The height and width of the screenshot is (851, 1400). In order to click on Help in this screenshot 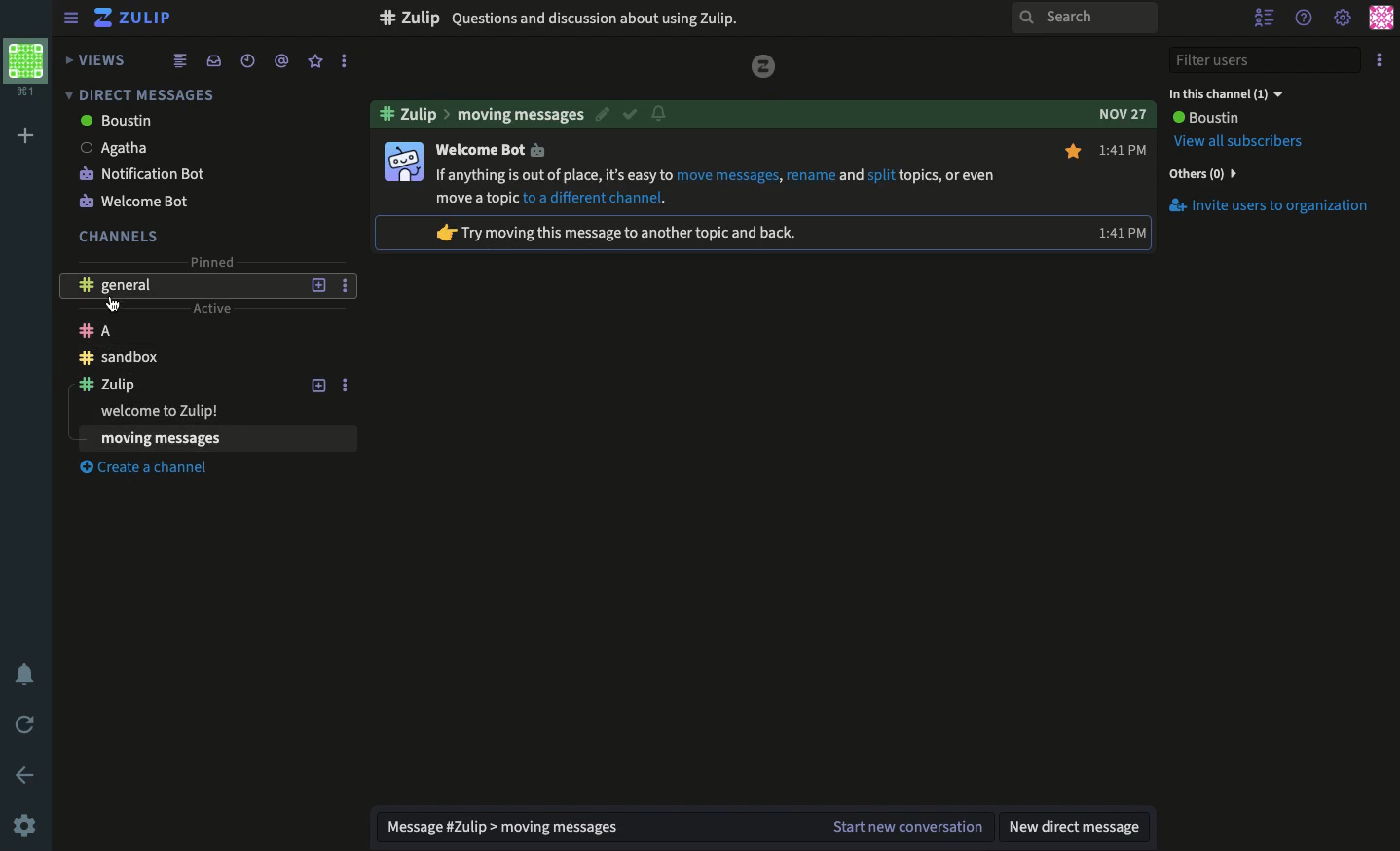, I will do `click(1305, 15)`.